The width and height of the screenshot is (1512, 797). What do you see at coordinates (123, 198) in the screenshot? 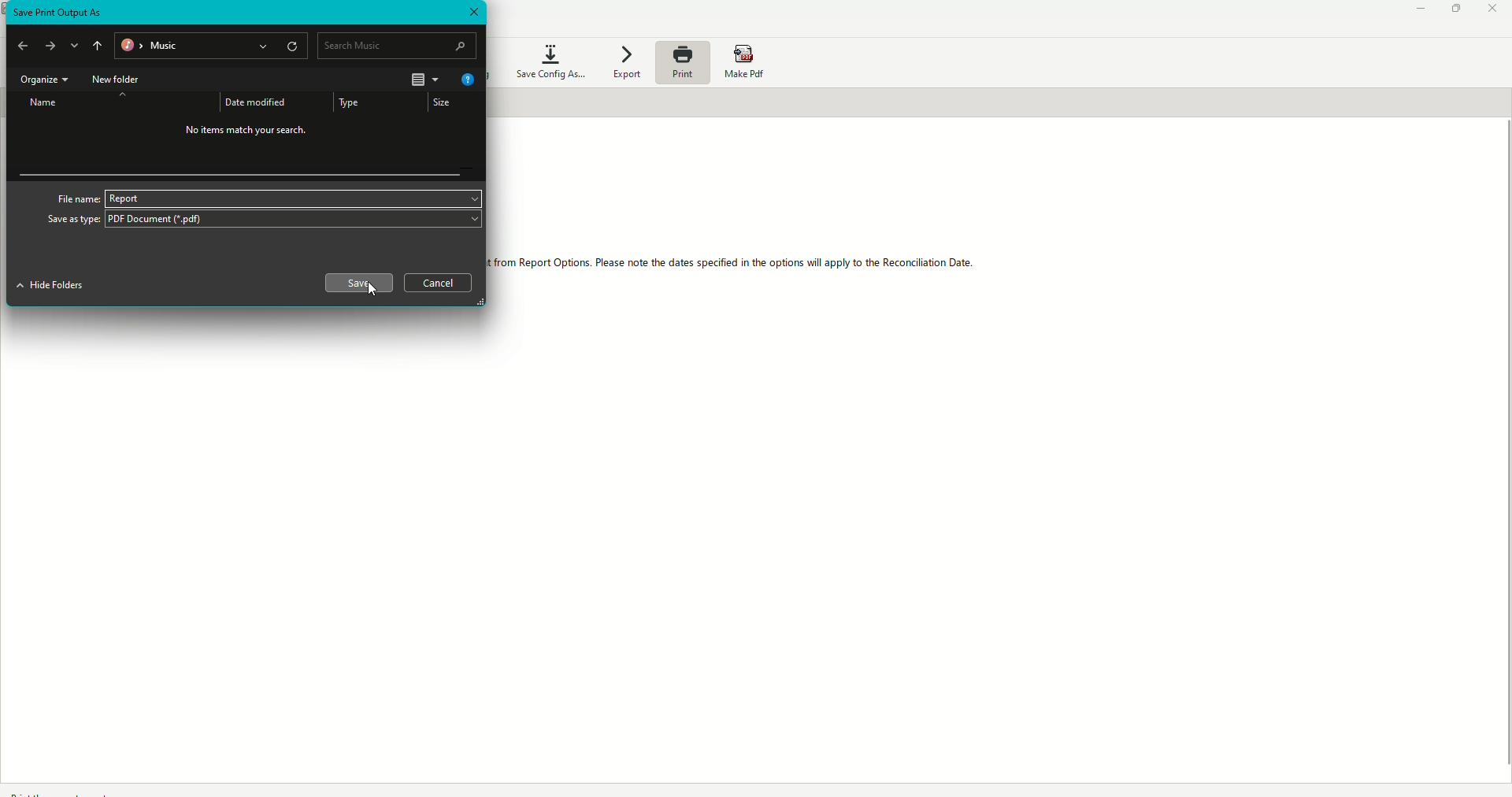
I see `Report` at bounding box center [123, 198].